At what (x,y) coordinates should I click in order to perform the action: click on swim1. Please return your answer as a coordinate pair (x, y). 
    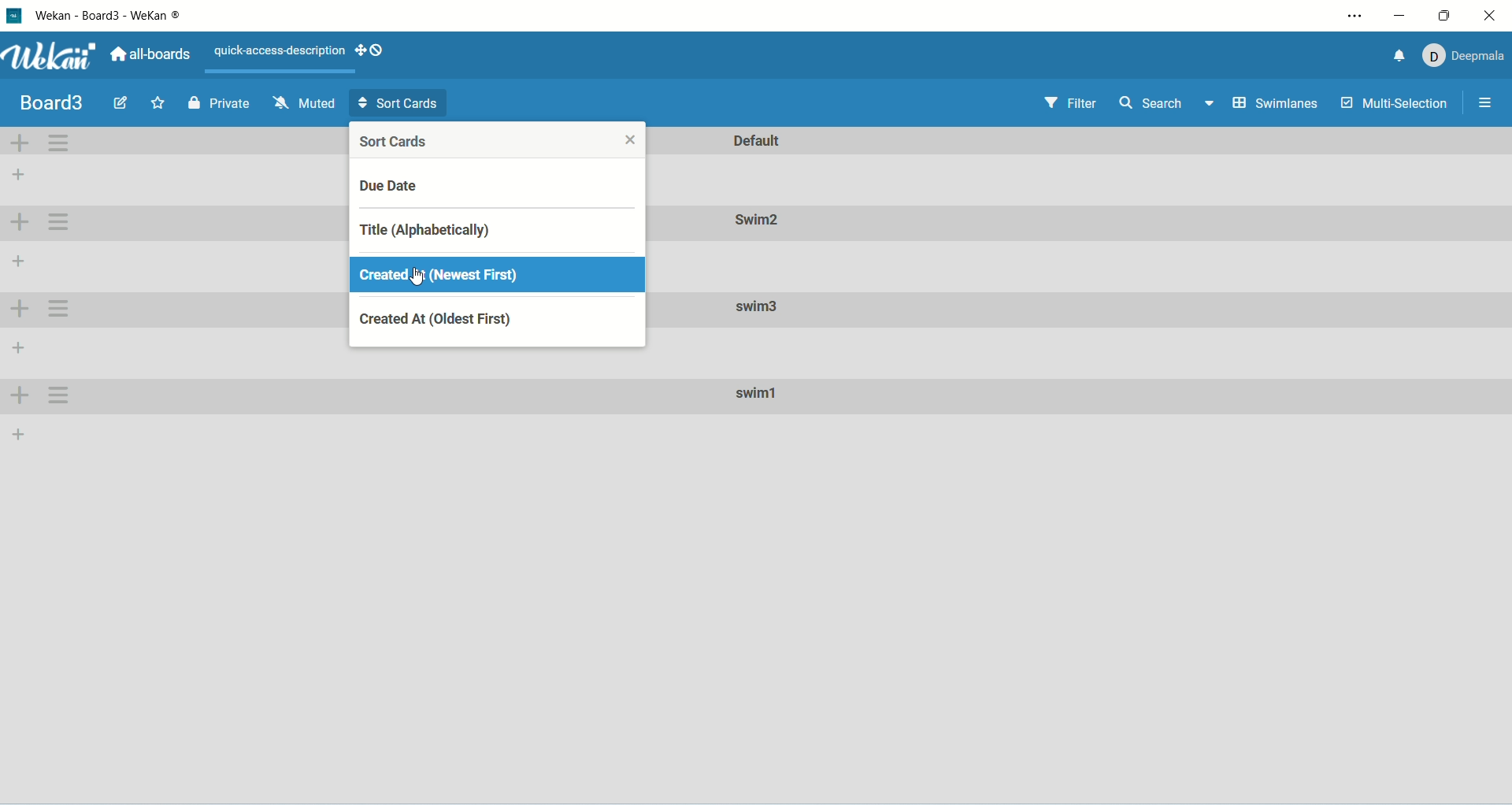
    Looking at the image, I should click on (762, 397).